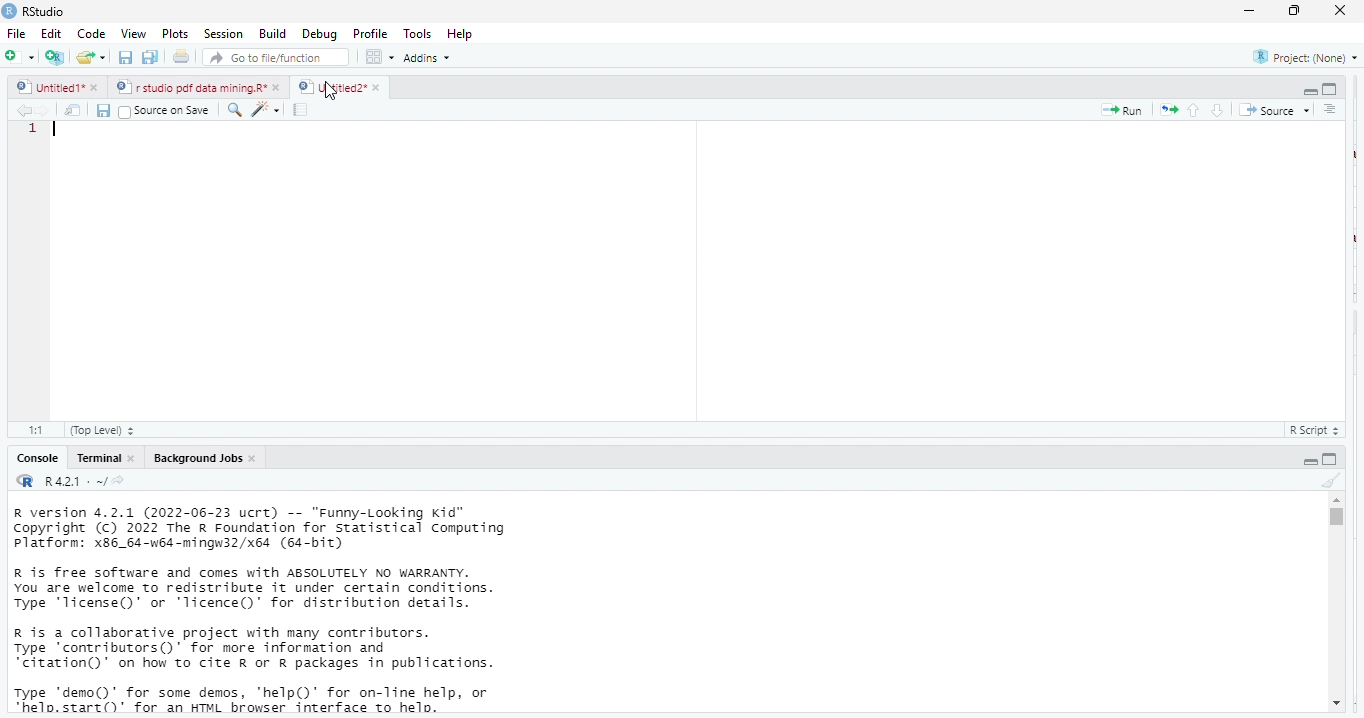  I want to click on rs studio pdf data mining r, so click(190, 88).